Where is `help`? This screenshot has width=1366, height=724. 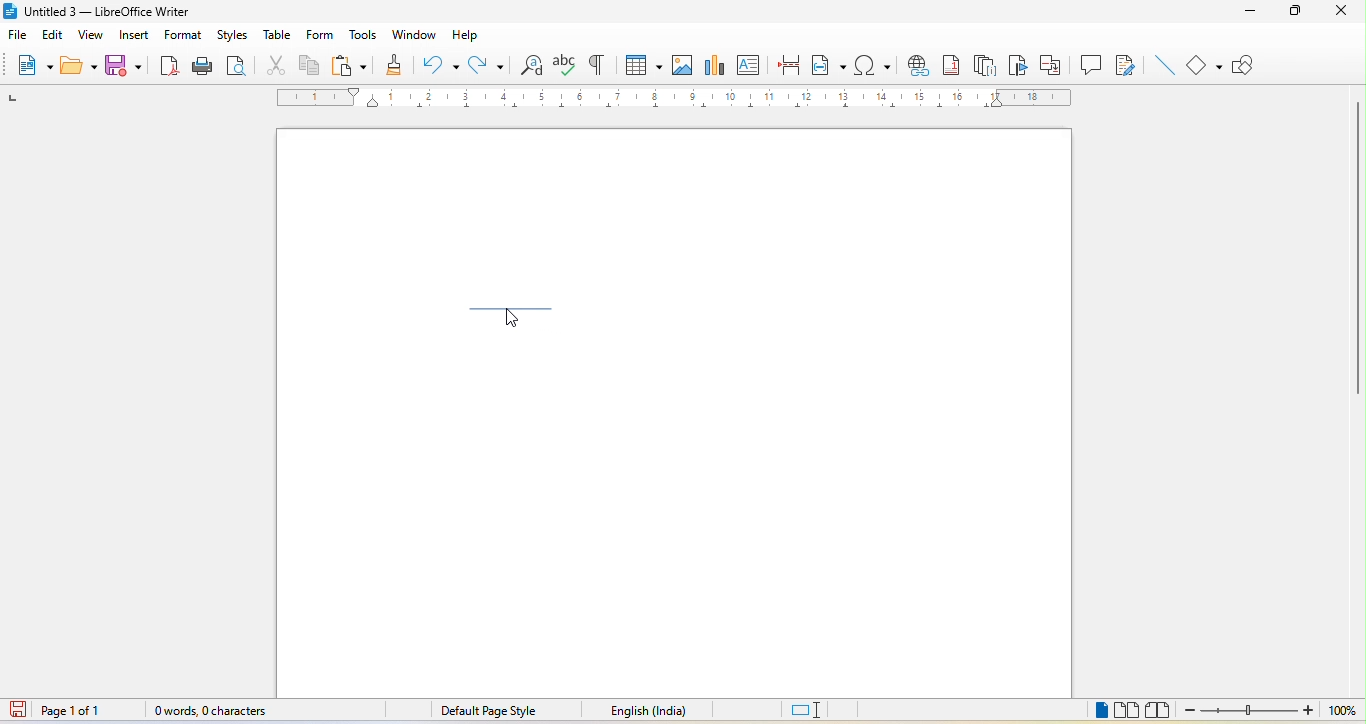
help is located at coordinates (470, 35).